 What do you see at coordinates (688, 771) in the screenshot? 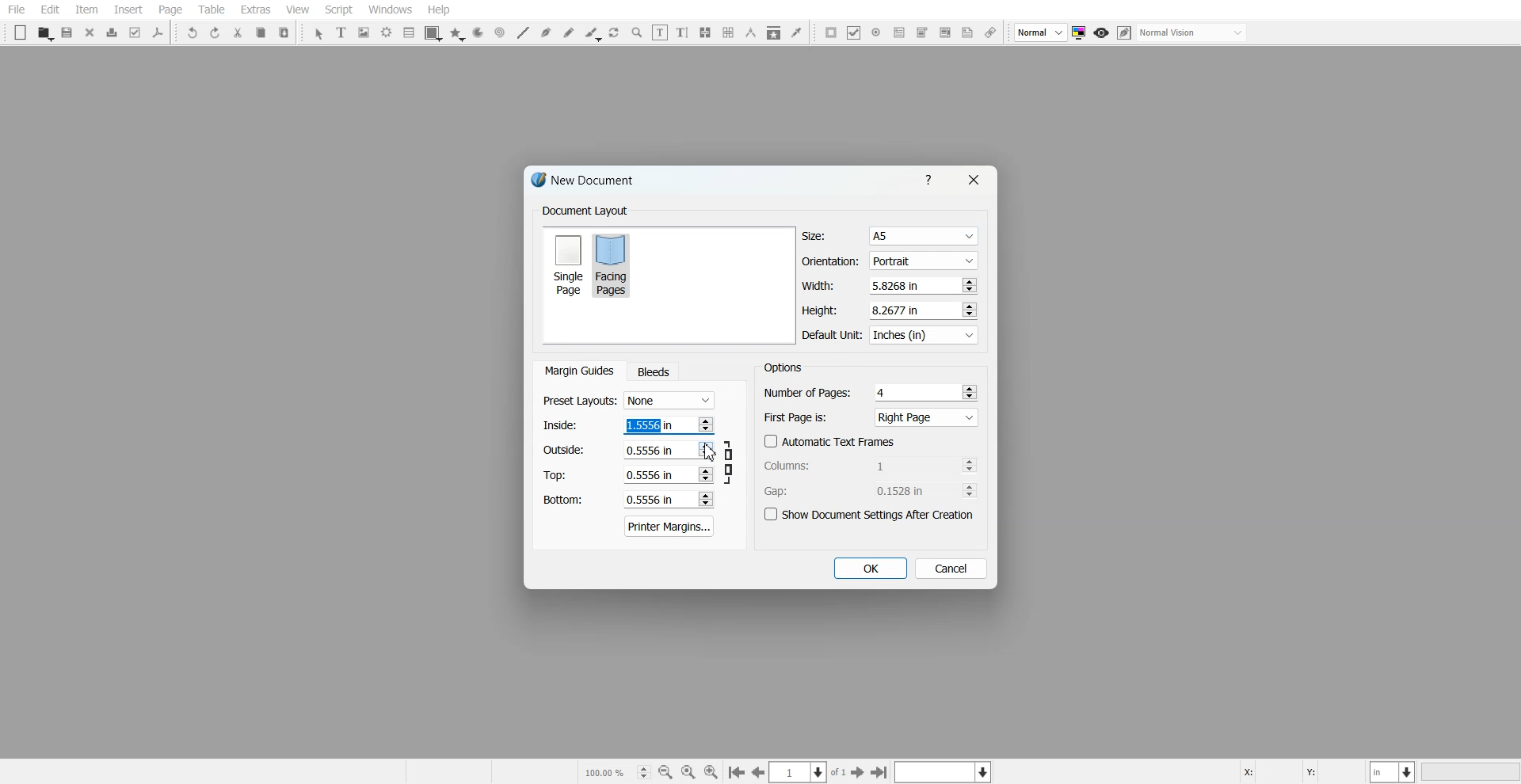
I see `Zoom to 100%` at bounding box center [688, 771].